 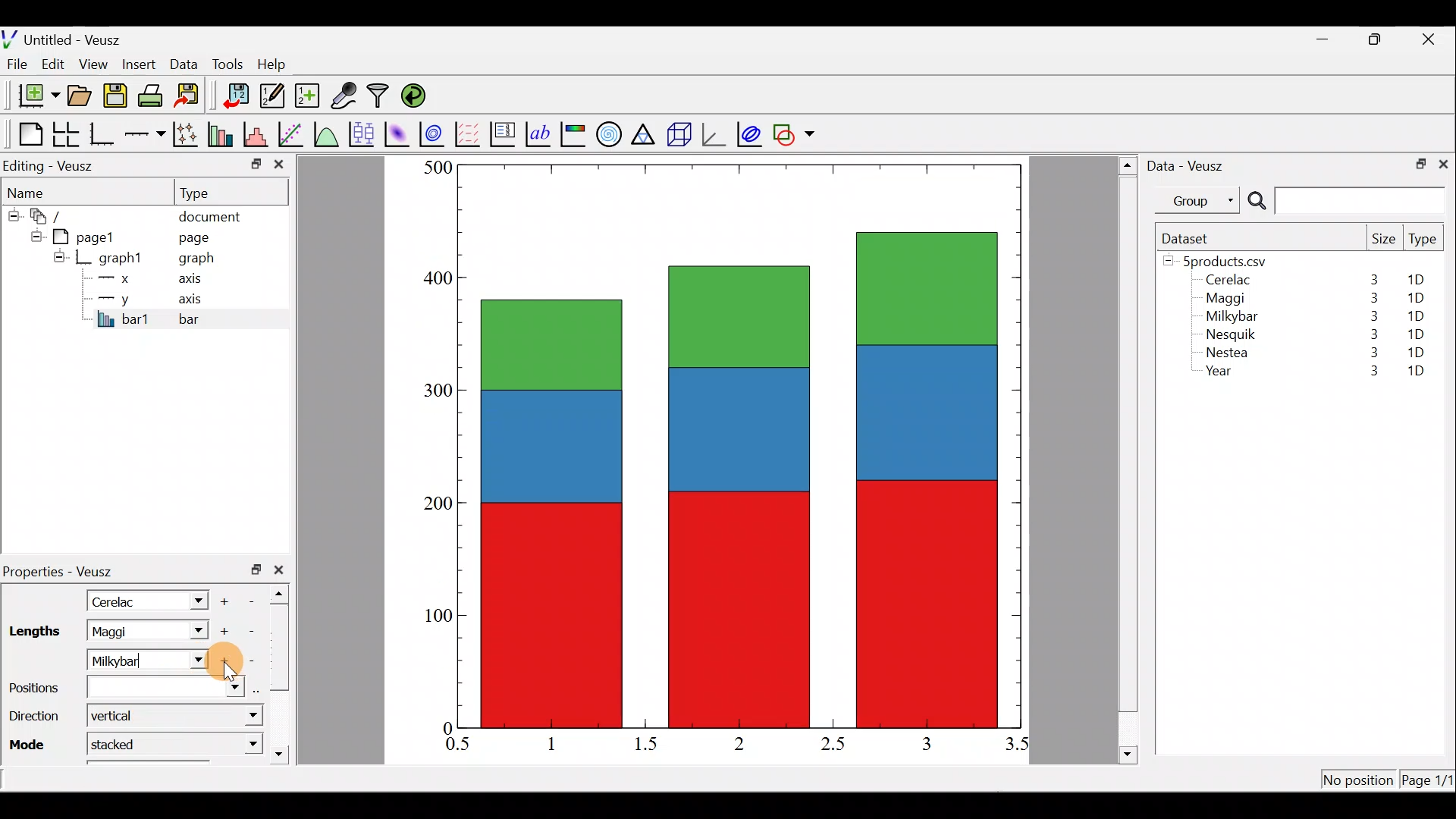 I want to click on bar1, so click(x=124, y=318).